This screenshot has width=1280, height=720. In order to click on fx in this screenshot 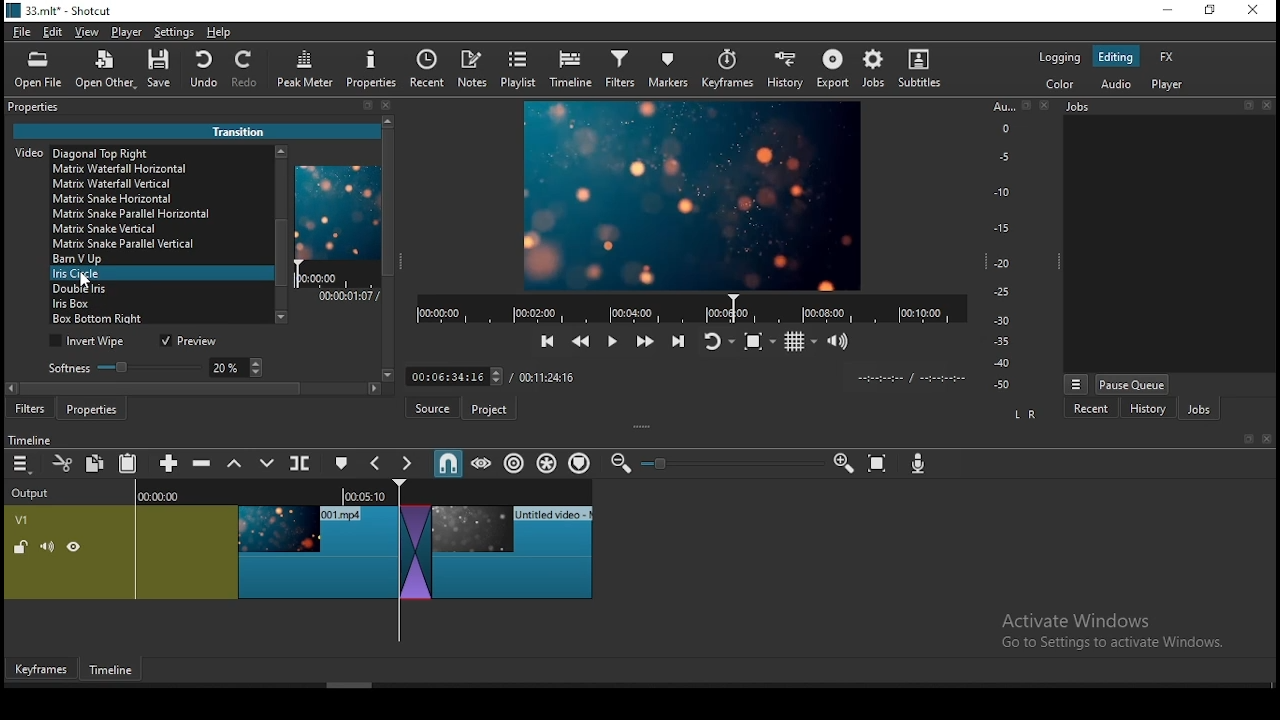, I will do `click(1167, 58)`.